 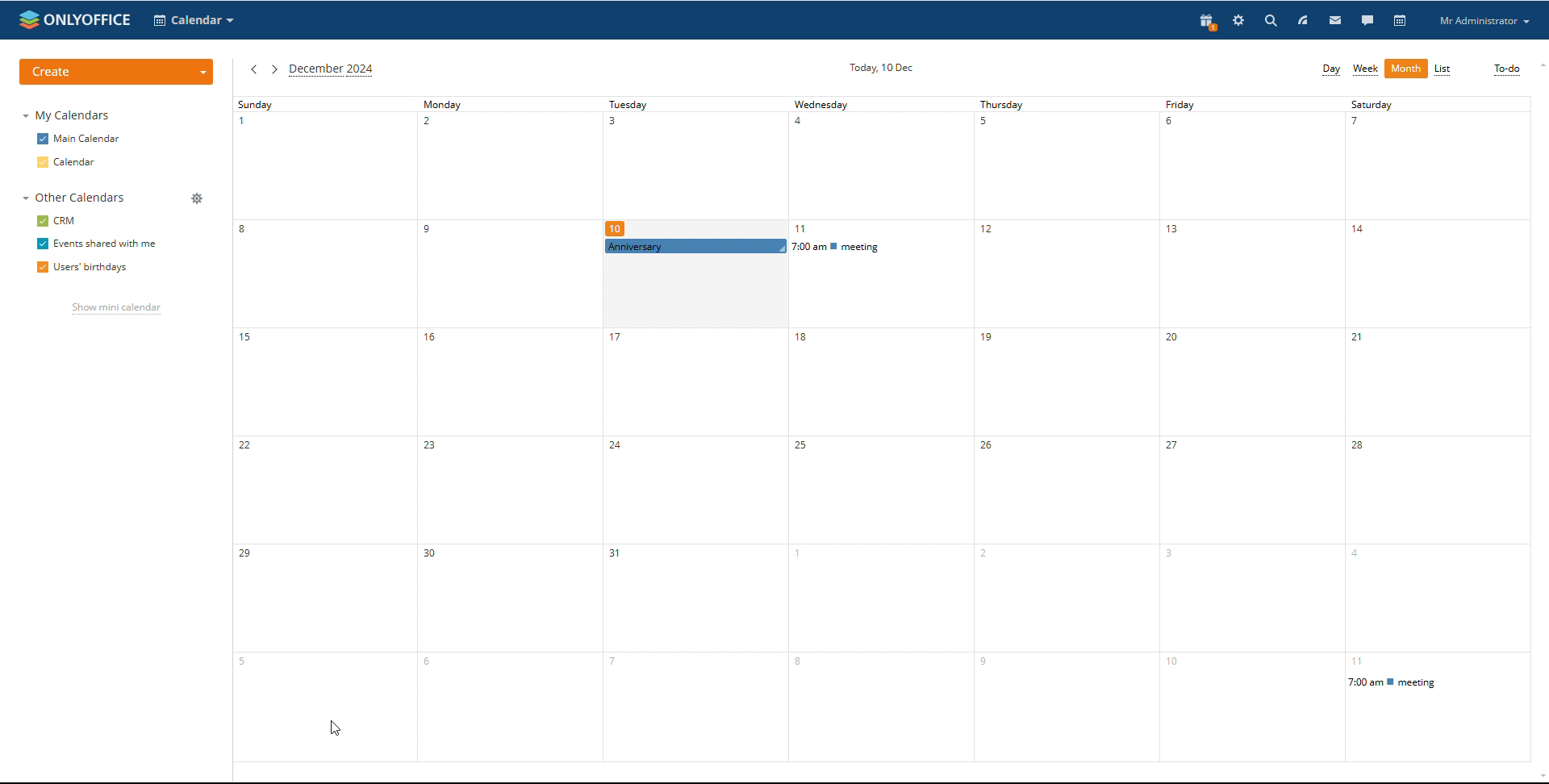 What do you see at coordinates (695, 166) in the screenshot?
I see `tuesday` at bounding box center [695, 166].